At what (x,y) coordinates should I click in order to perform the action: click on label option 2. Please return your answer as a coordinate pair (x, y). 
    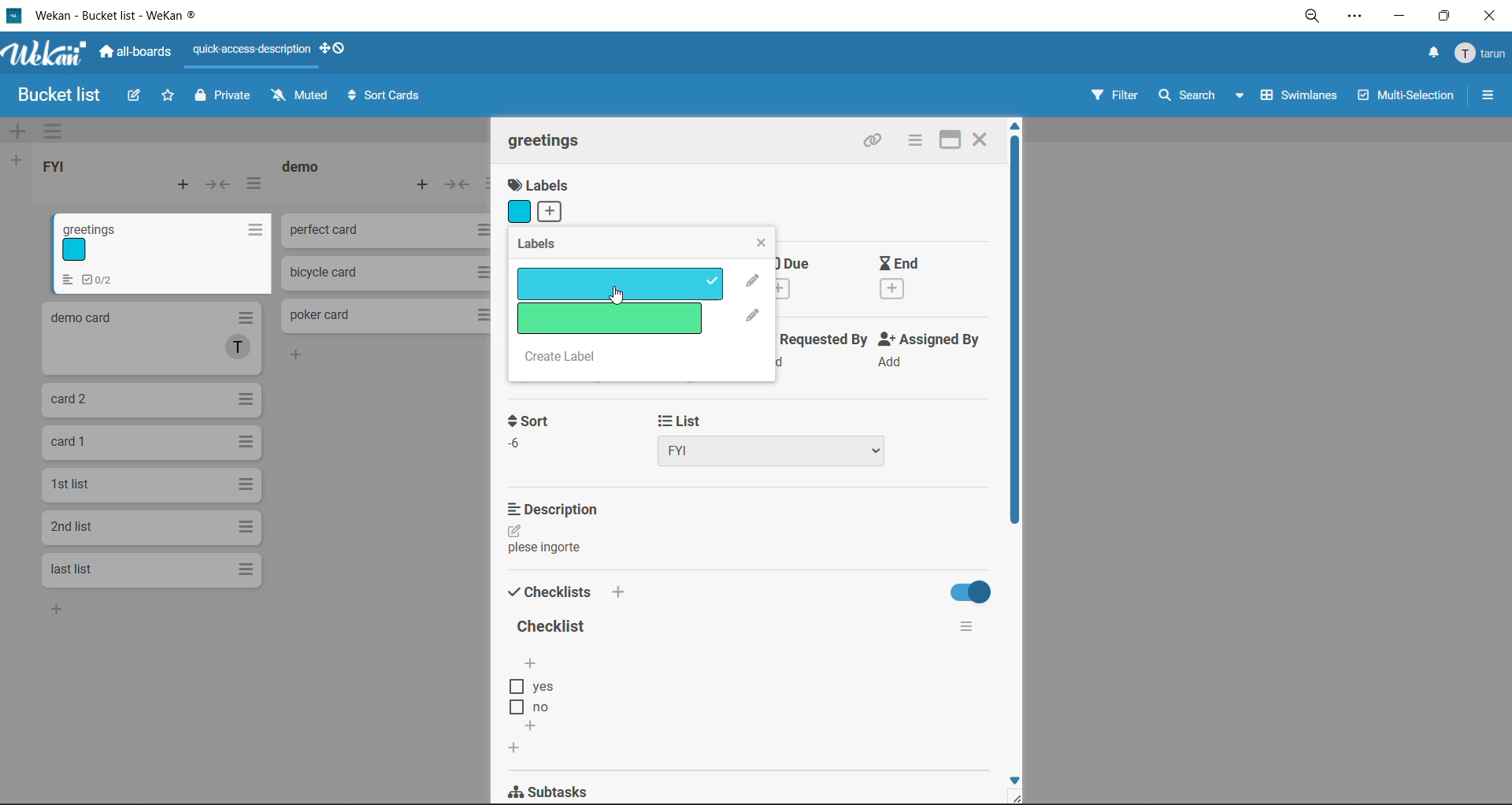
    Looking at the image, I should click on (608, 318).